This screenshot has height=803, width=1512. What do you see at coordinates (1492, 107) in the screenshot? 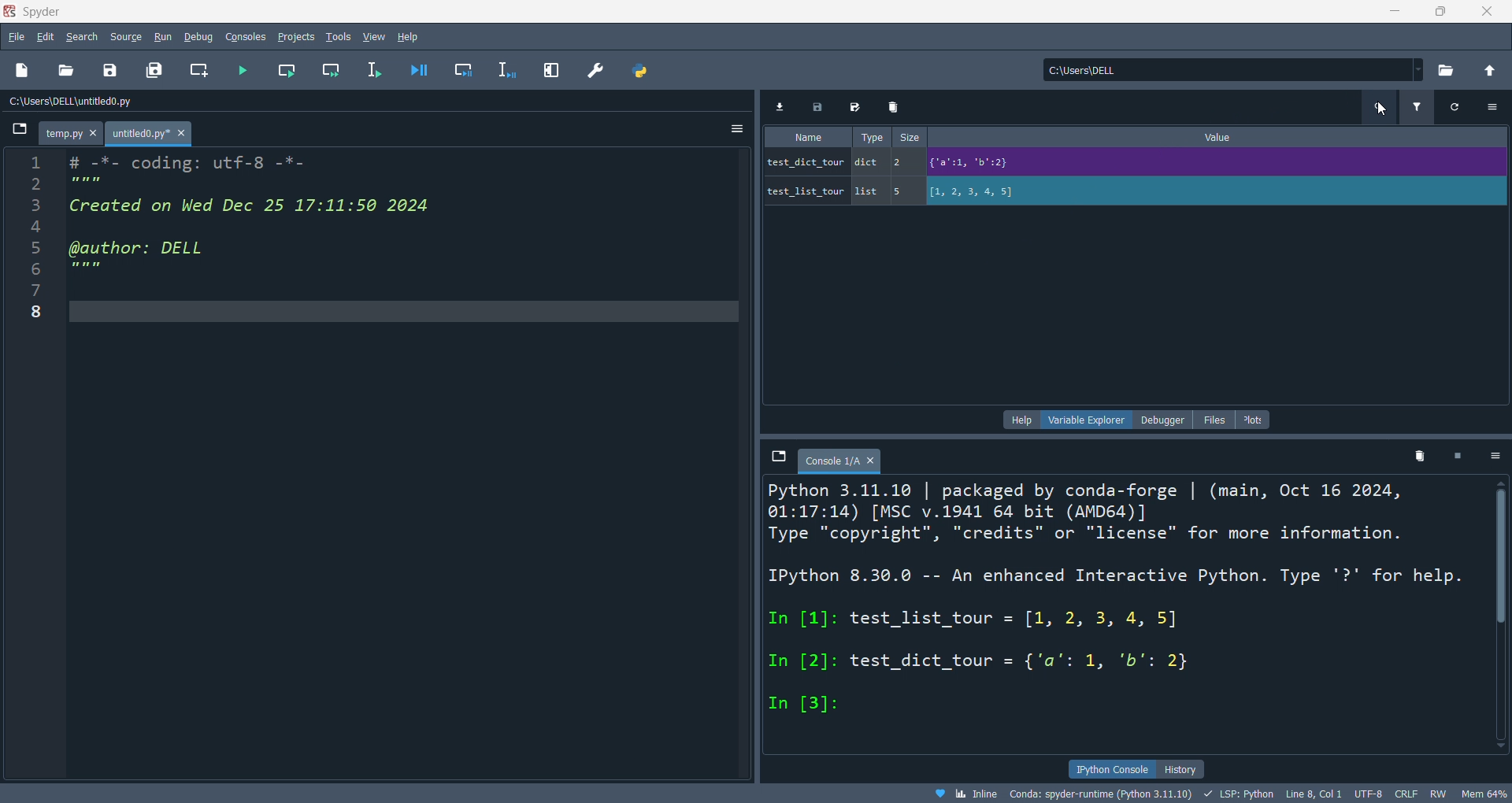
I see `options` at bounding box center [1492, 107].